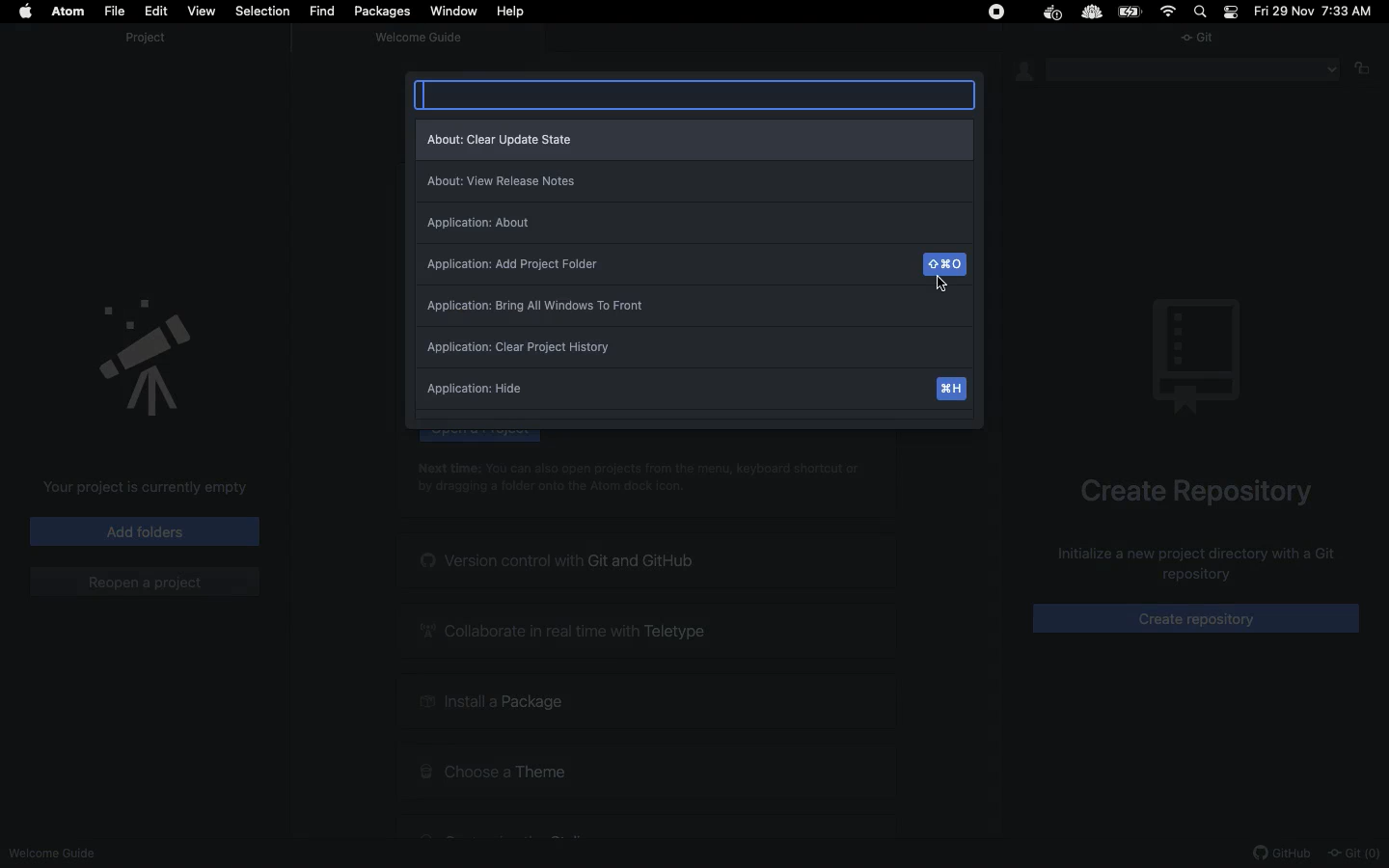 Image resolution: width=1389 pixels, height=868 pixels. I want to click on About clear update state, so click(694, 139).